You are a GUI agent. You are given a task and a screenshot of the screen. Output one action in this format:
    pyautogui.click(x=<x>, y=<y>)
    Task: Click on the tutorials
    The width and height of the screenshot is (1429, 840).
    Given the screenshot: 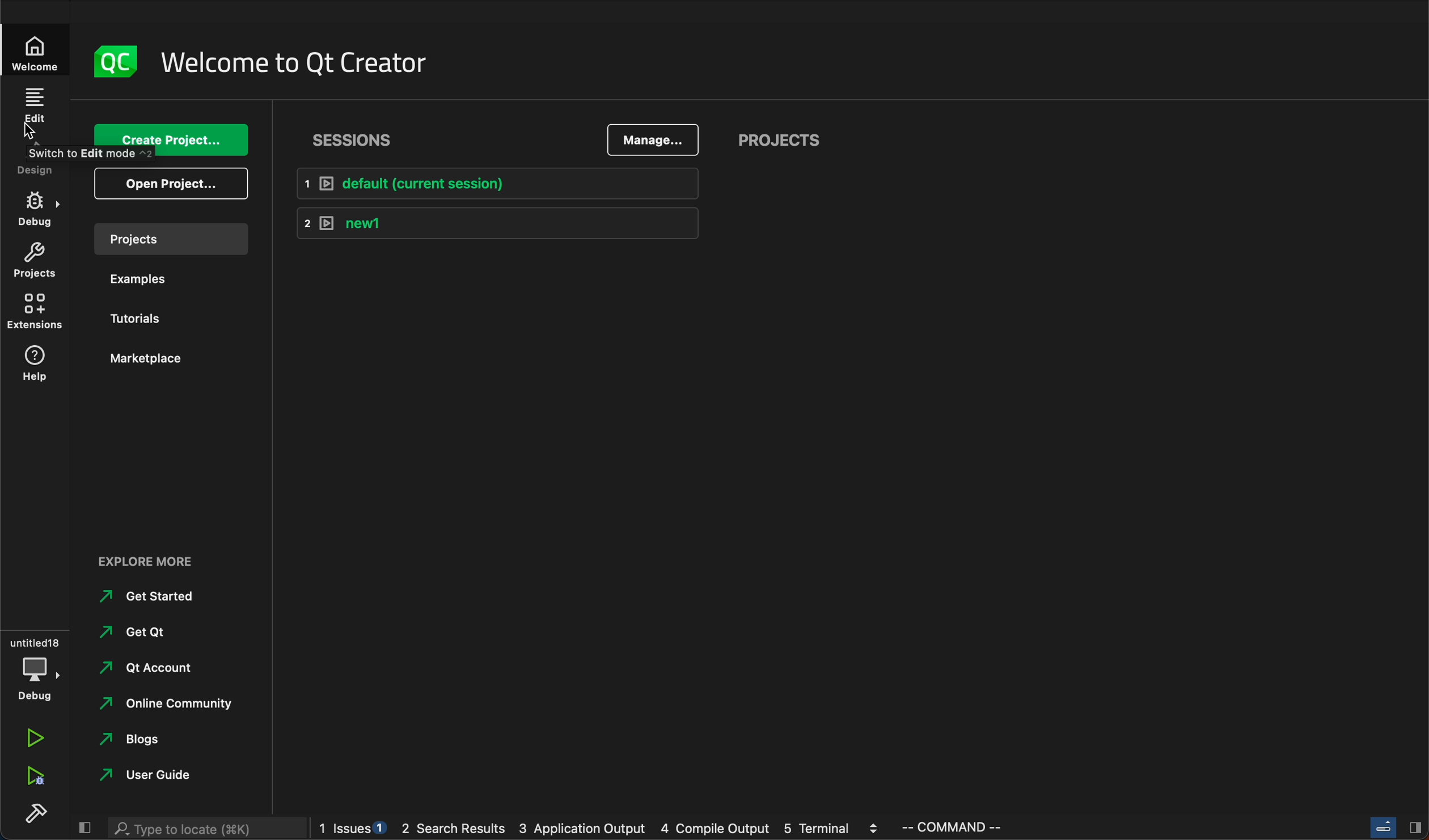 What is the action you would take?
    pyautogui.click(x=141, y=317)
    